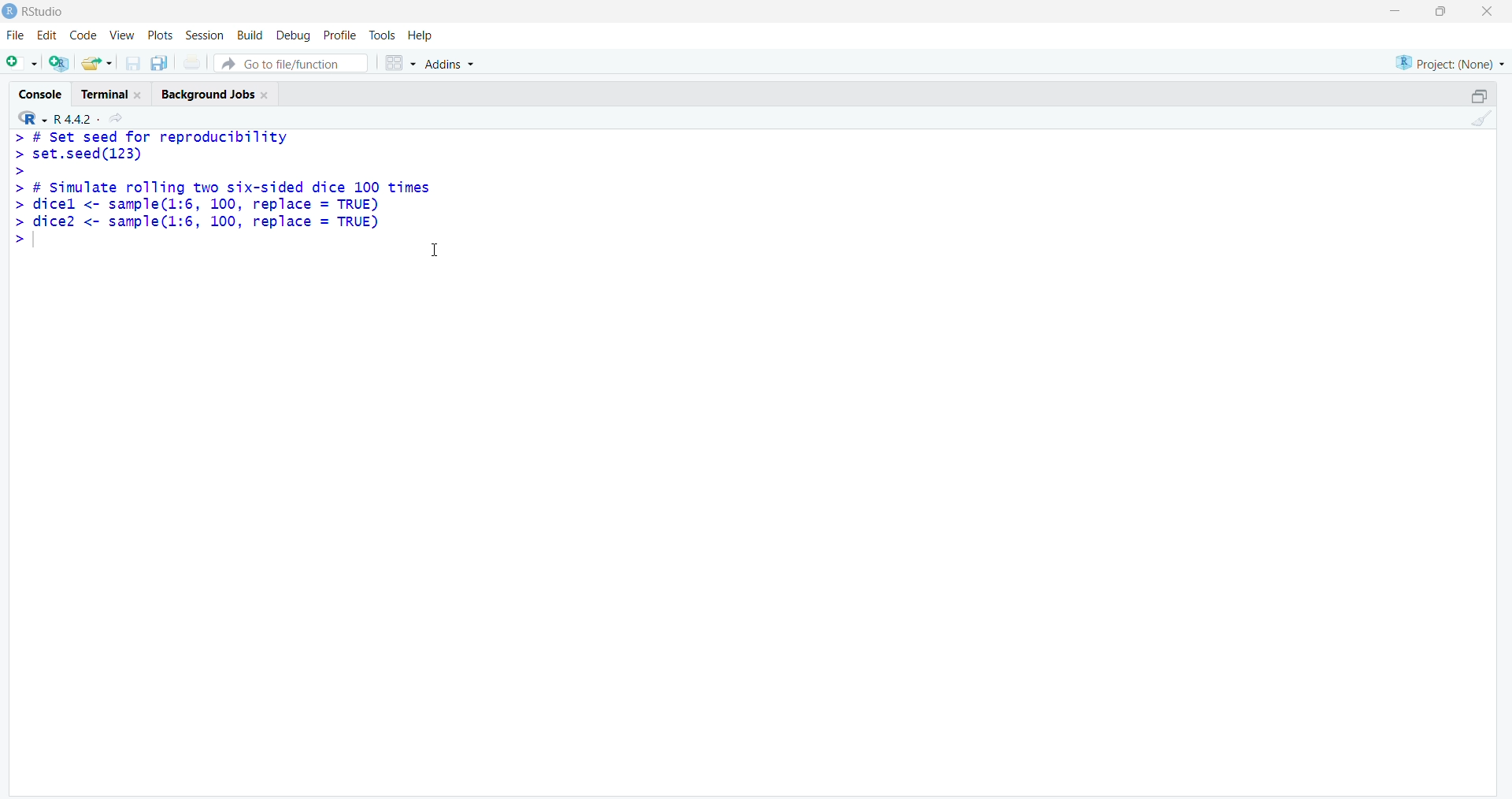 This screenshot has width=1512, height=799. Describe the element at coordinates (291, 63) in the screenshot. I see `go to file/function` at that location.